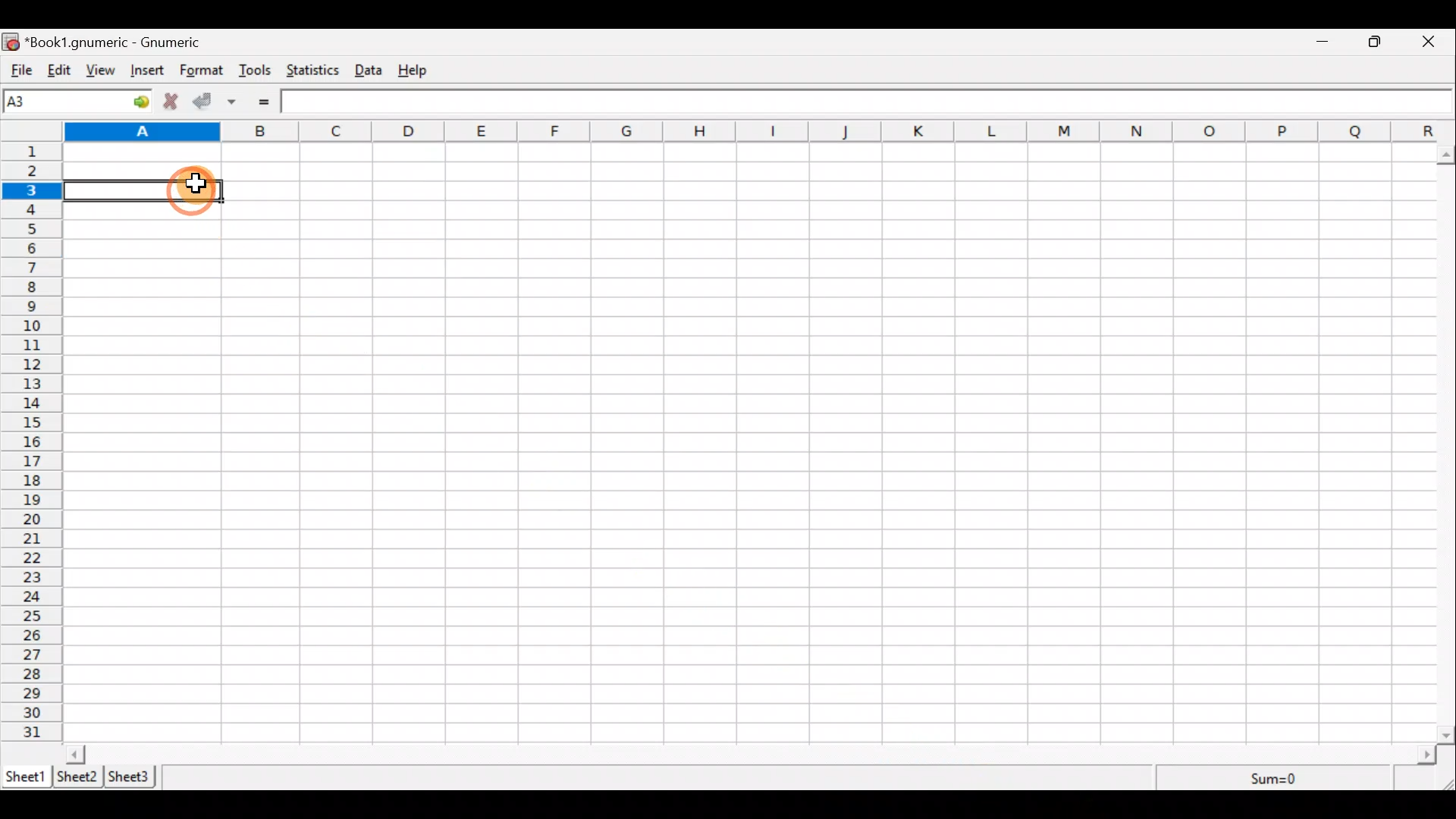  I want to click on View, so click(102, 71).